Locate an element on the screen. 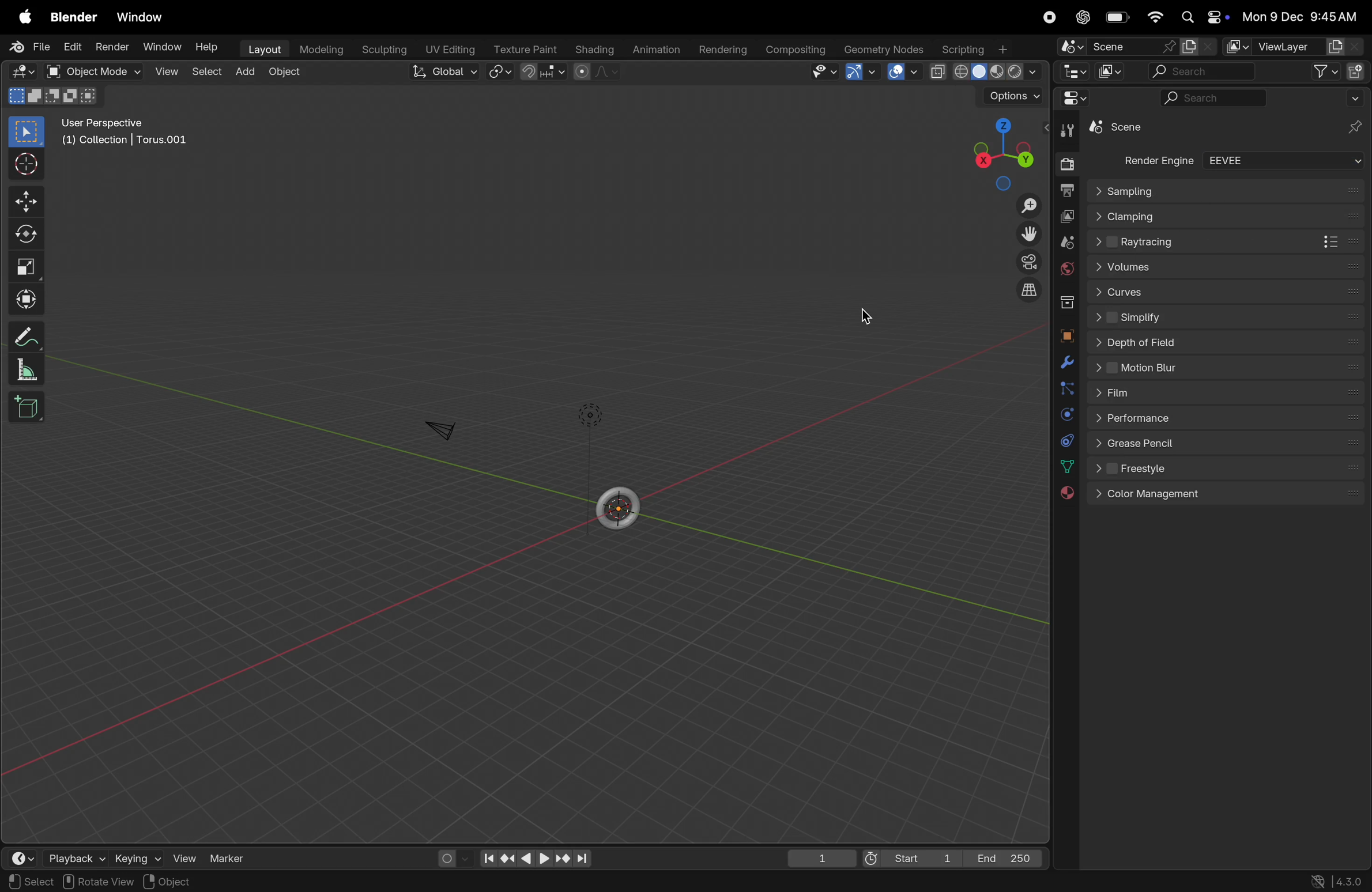 This screenshot has height=892, width=1372. chatgpt is located at coordinates (1081, 17).